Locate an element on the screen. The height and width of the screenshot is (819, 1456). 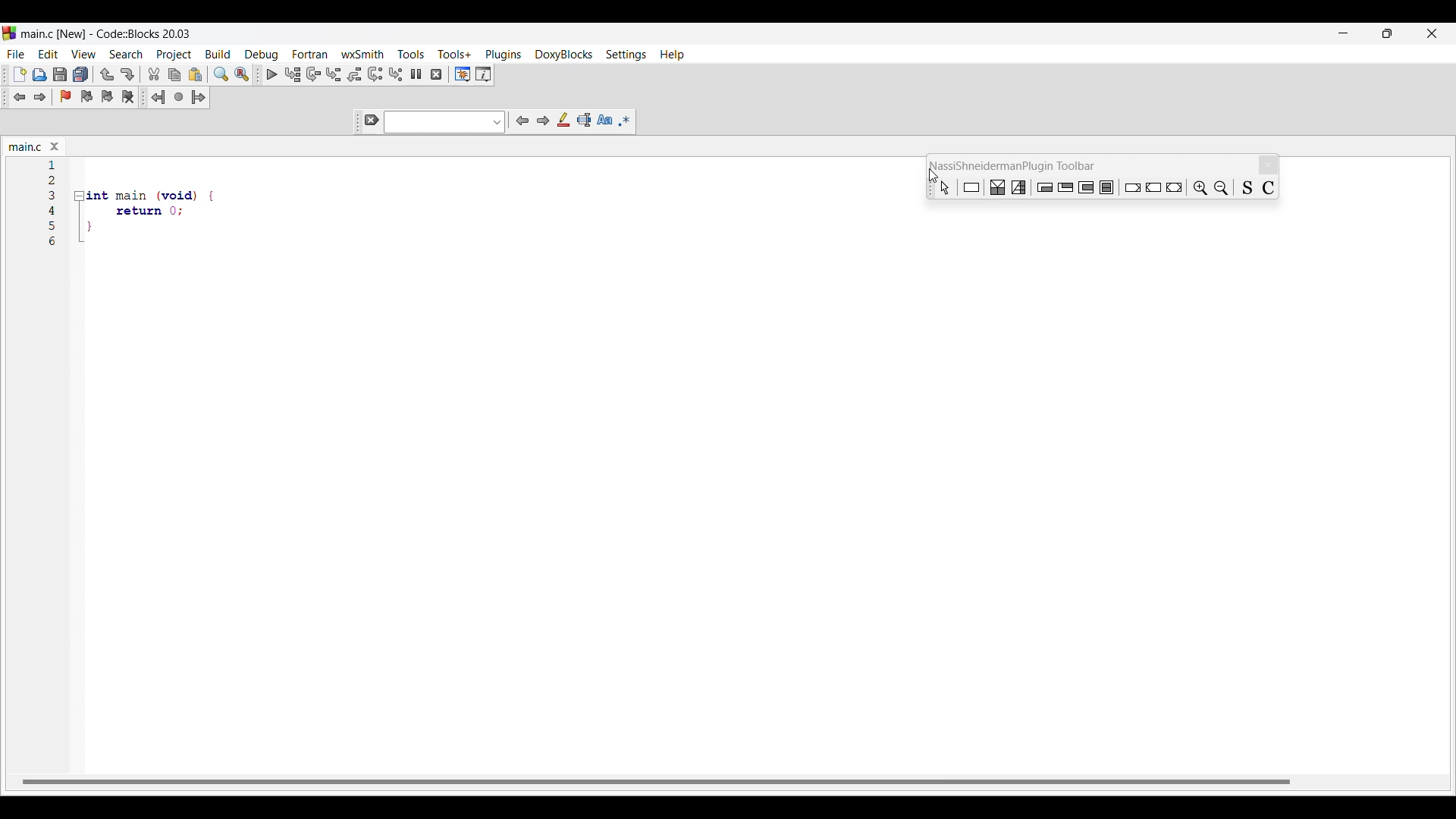
Current code is located at coordinates (53, 165).